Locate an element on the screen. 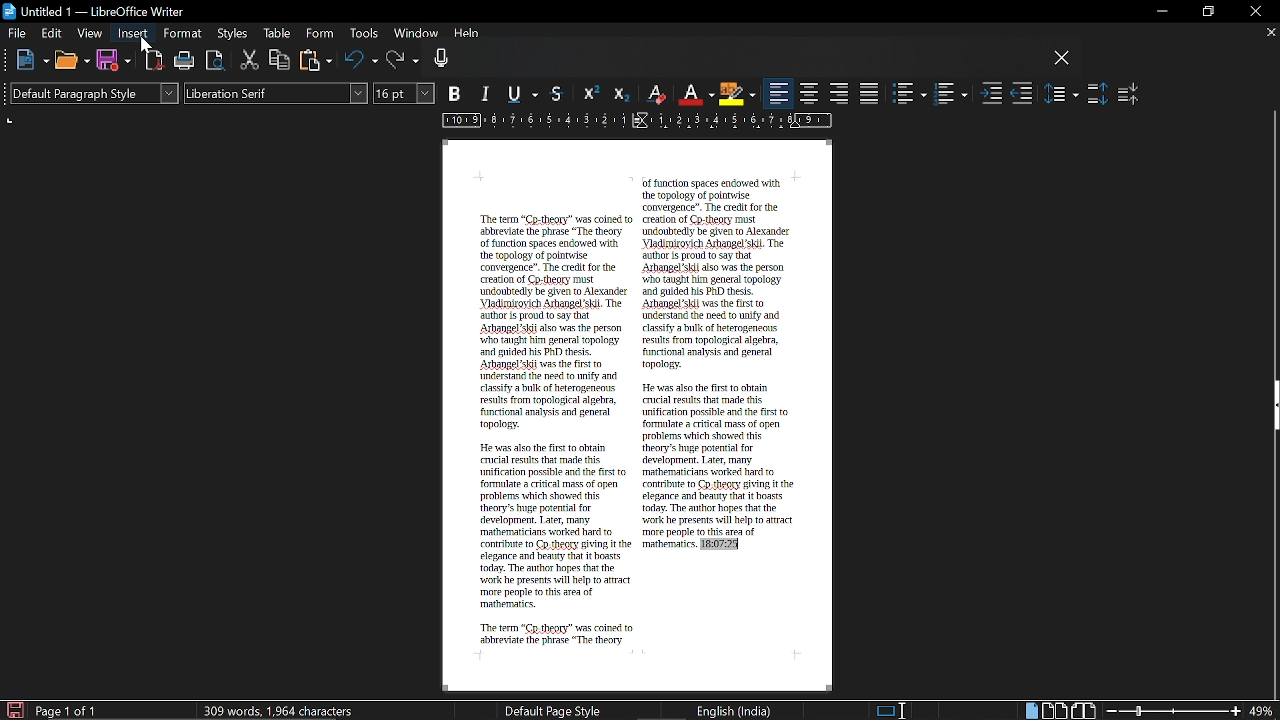 This screenshot has height=720, width=1280. Edit is located at coordinates (53, 33).